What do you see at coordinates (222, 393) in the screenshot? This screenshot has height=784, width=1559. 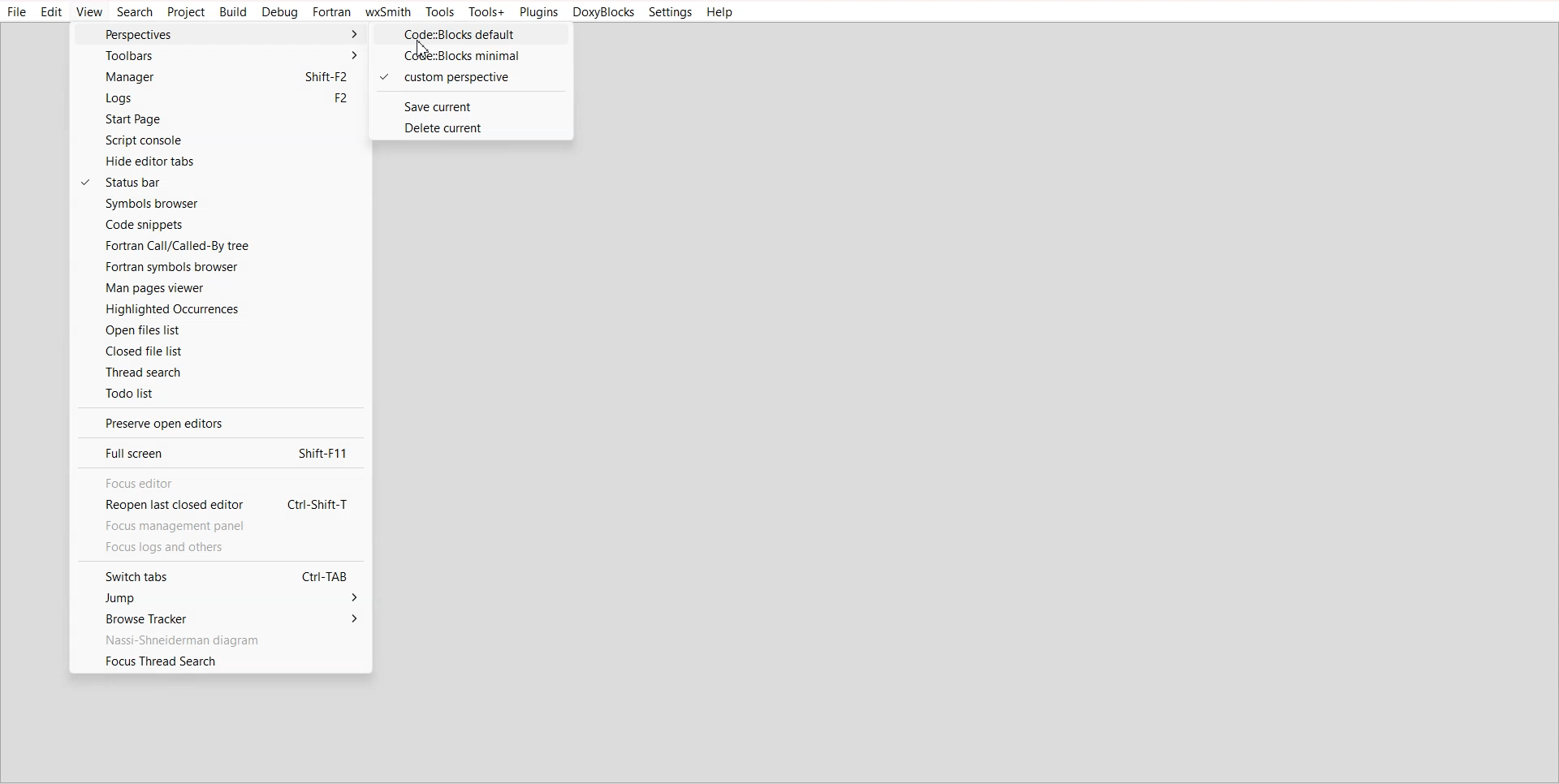 I see `Todo list` at bounding box center [222, 393].